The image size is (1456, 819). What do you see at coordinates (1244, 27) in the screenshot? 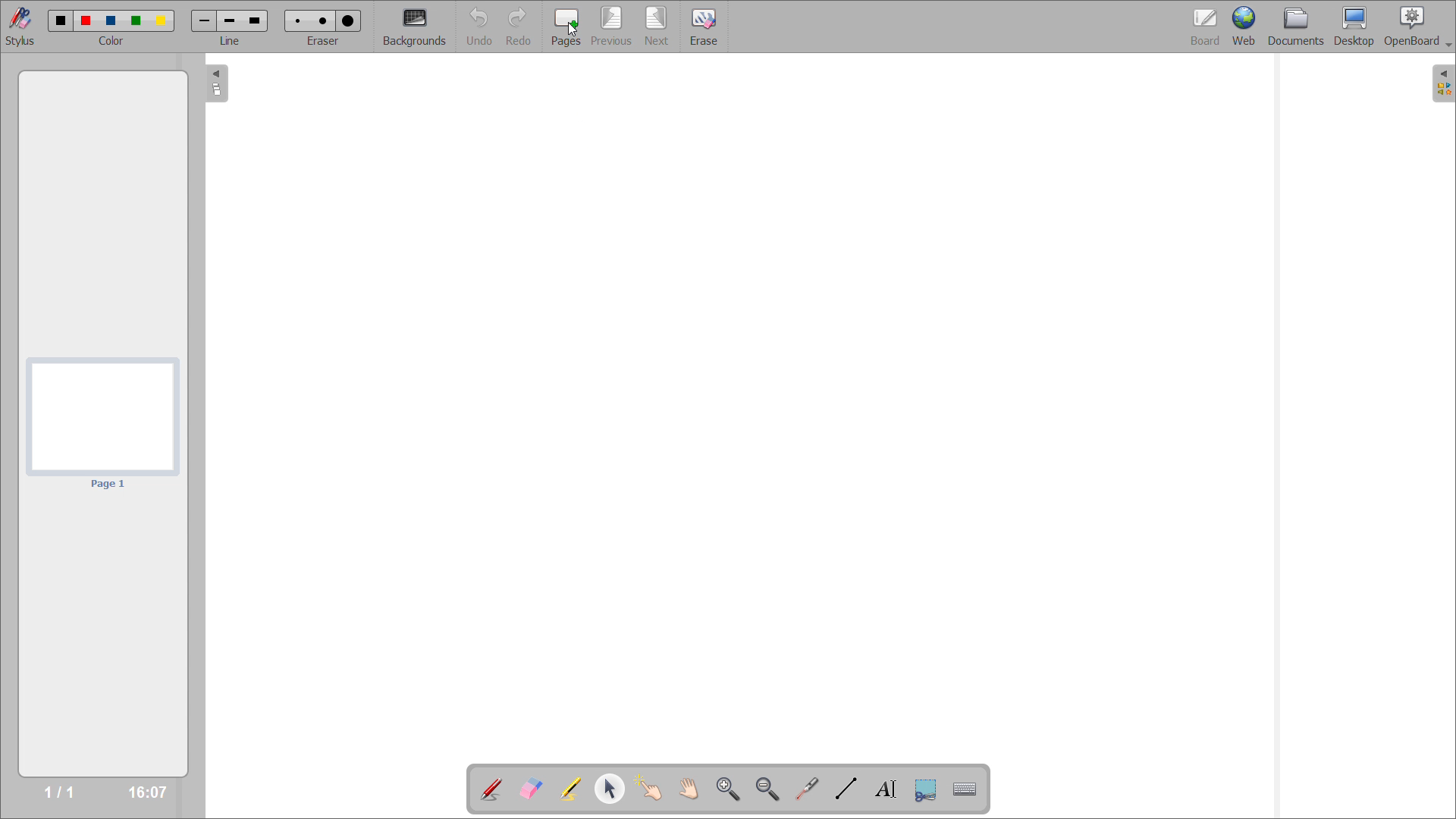
I see `web` at bounding box center [1244, 27].